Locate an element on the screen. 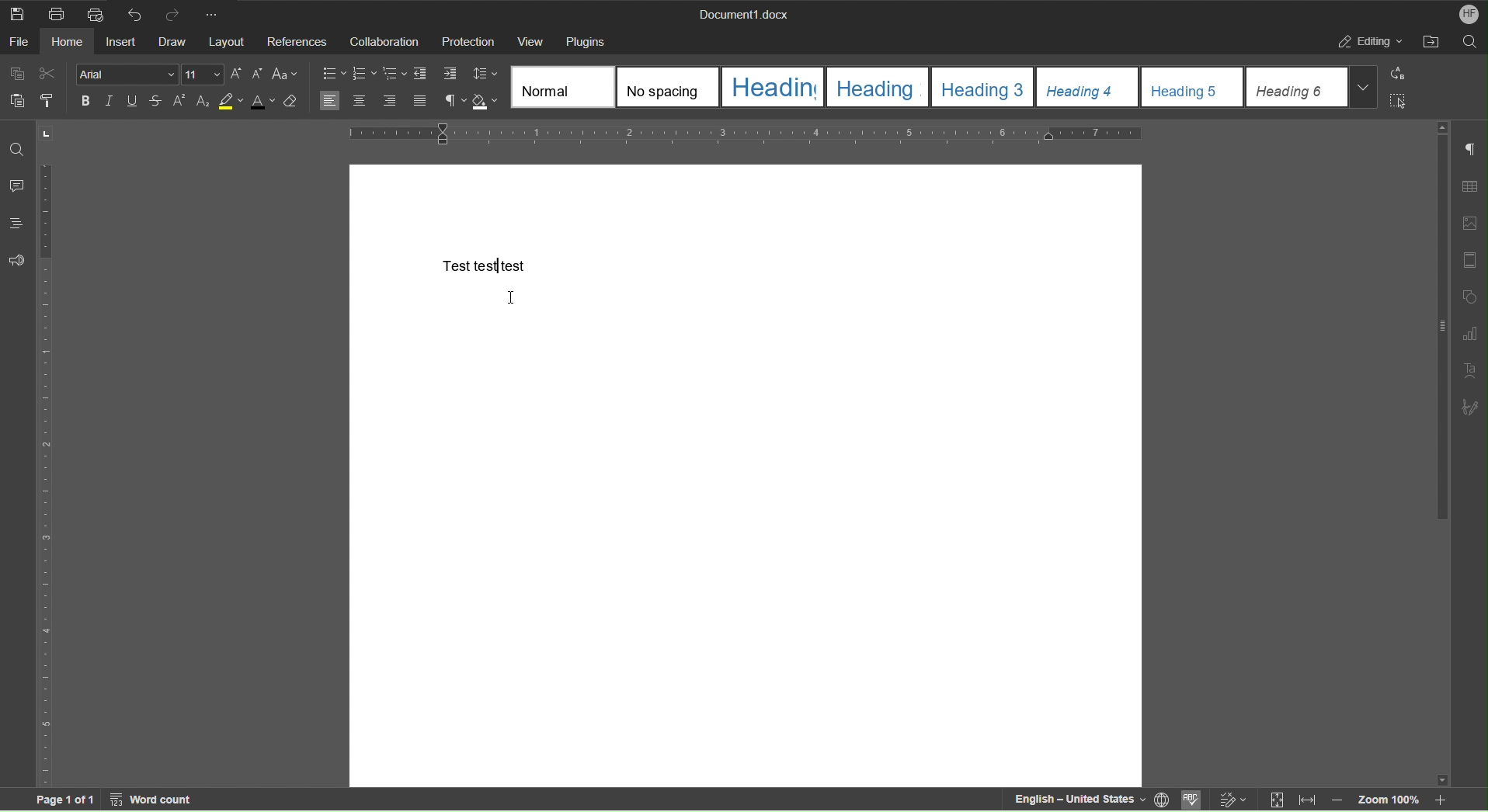  Track Changes is located at coordinates (1235, 799).